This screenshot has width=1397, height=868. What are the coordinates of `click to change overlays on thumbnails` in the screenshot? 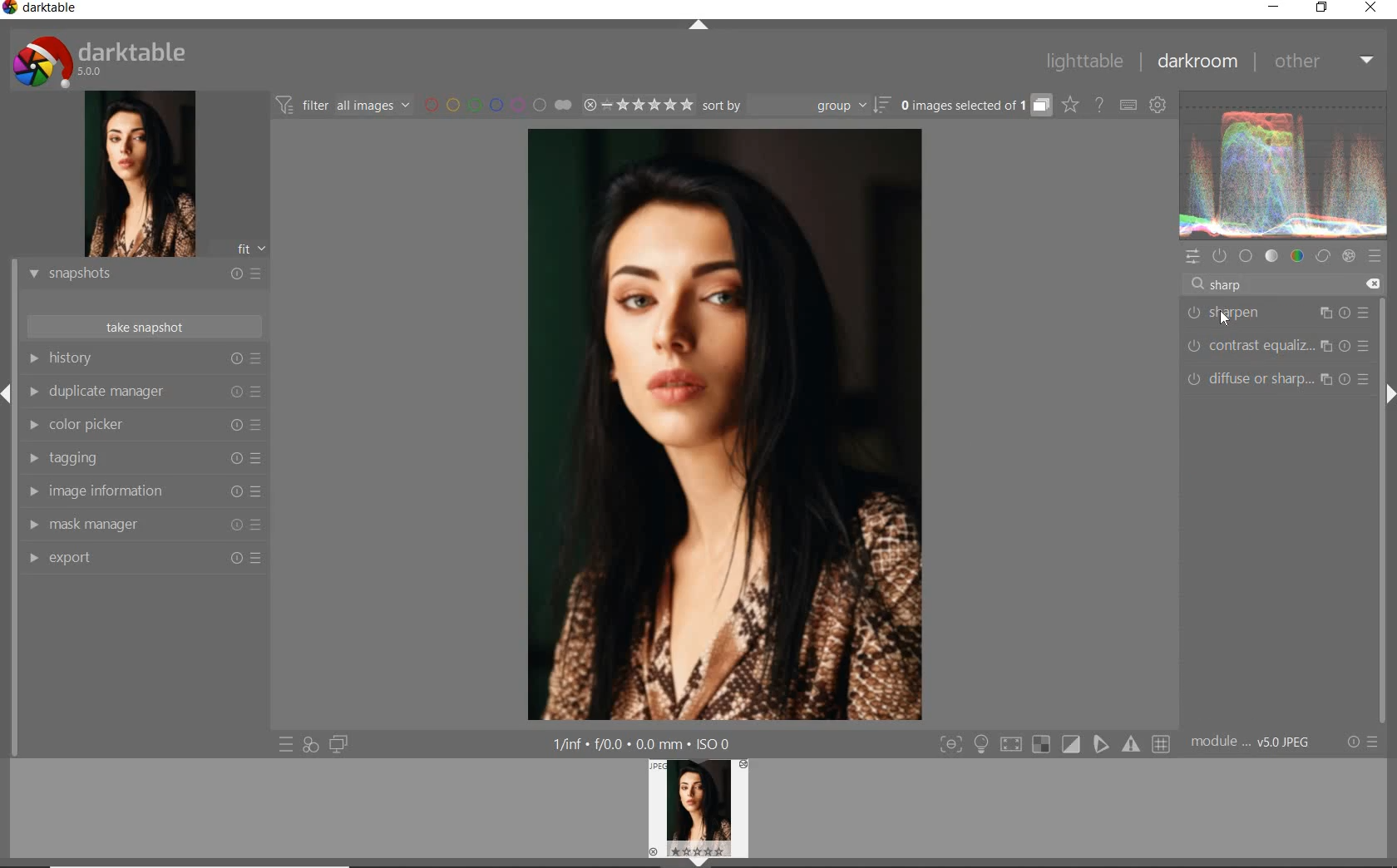 It's located at (1071, 106).